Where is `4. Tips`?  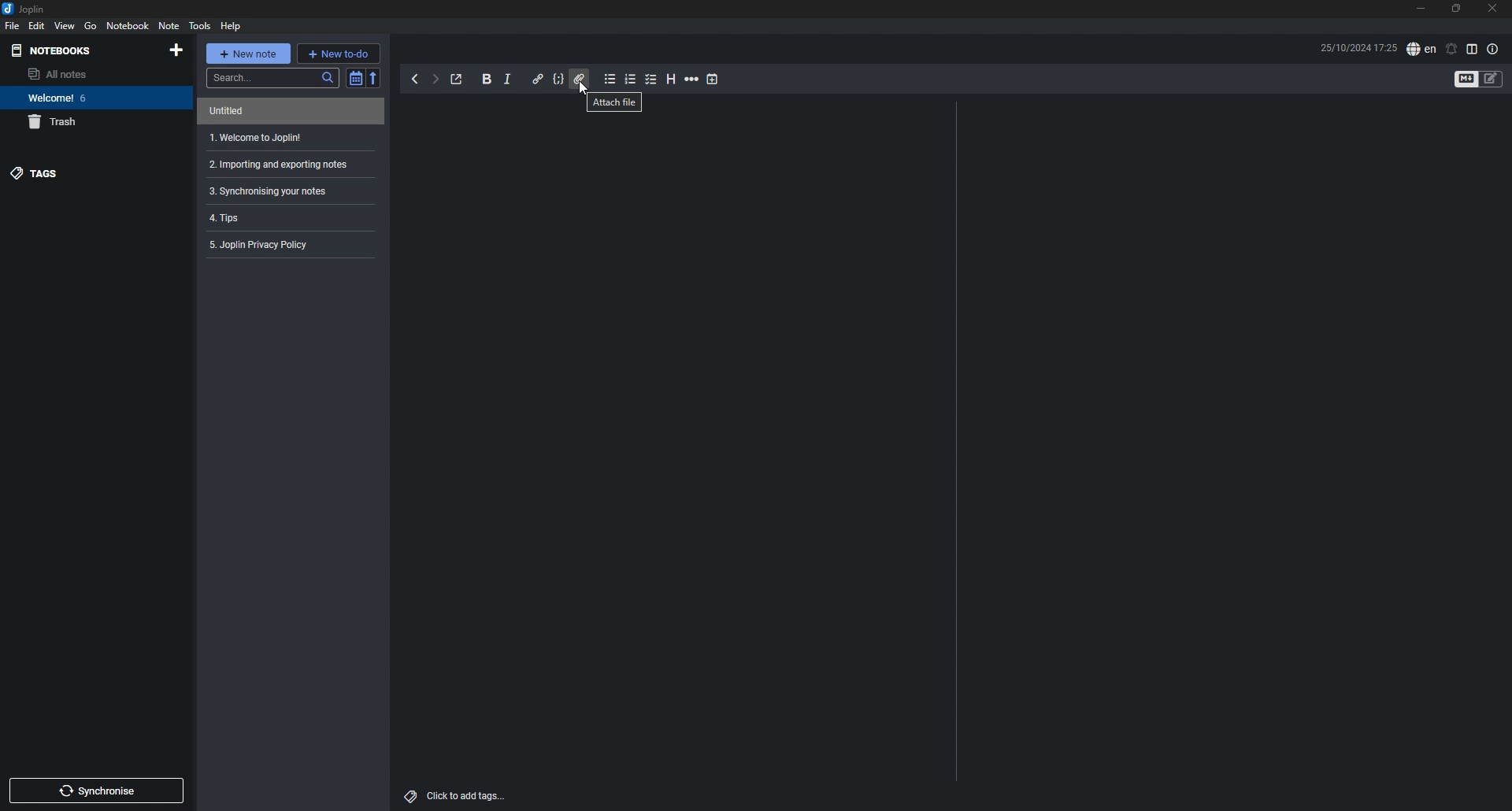
4. Tips is located at coordinates (221, 217).